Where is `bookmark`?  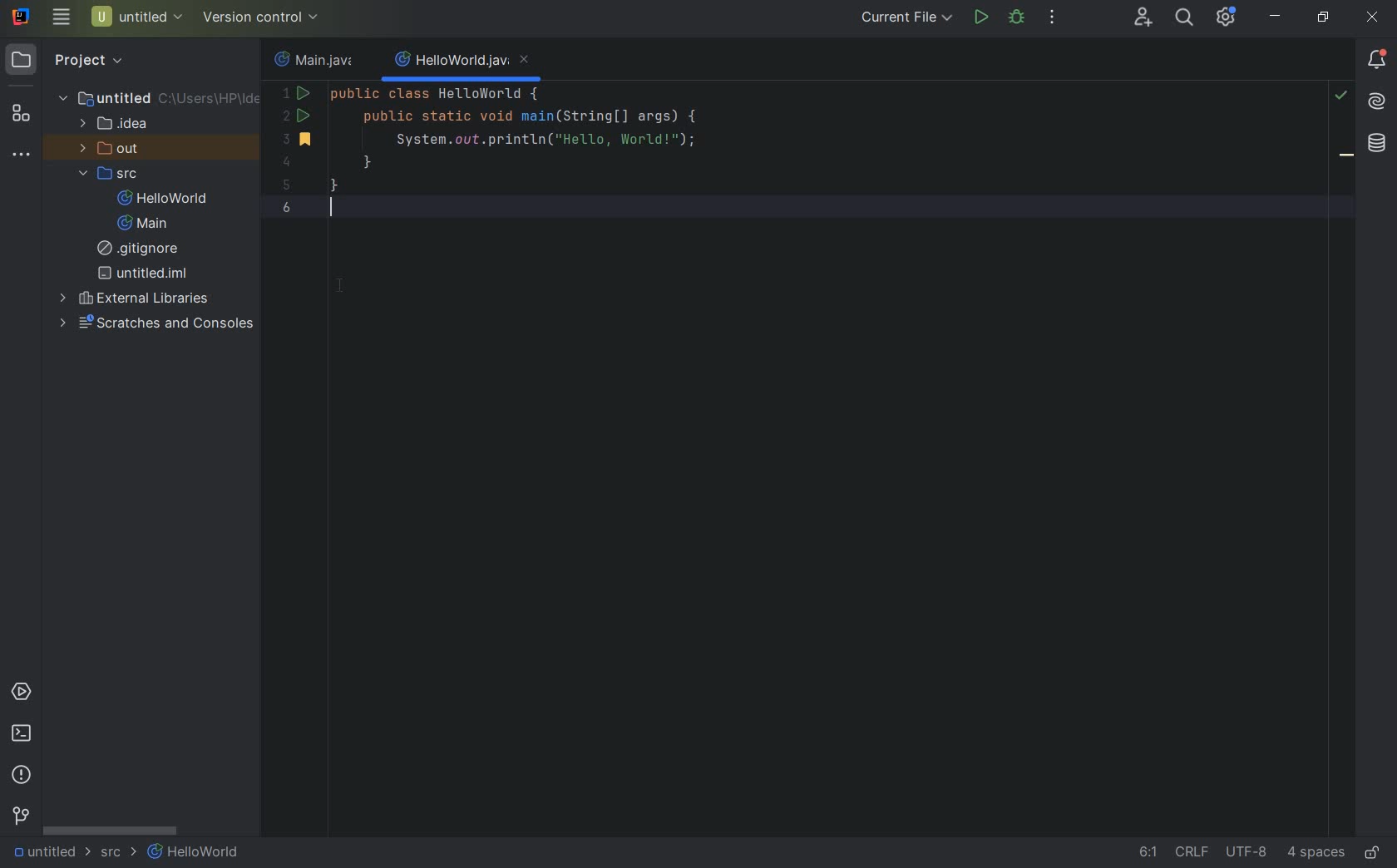
bookmark is located at coordinates (300, 141).